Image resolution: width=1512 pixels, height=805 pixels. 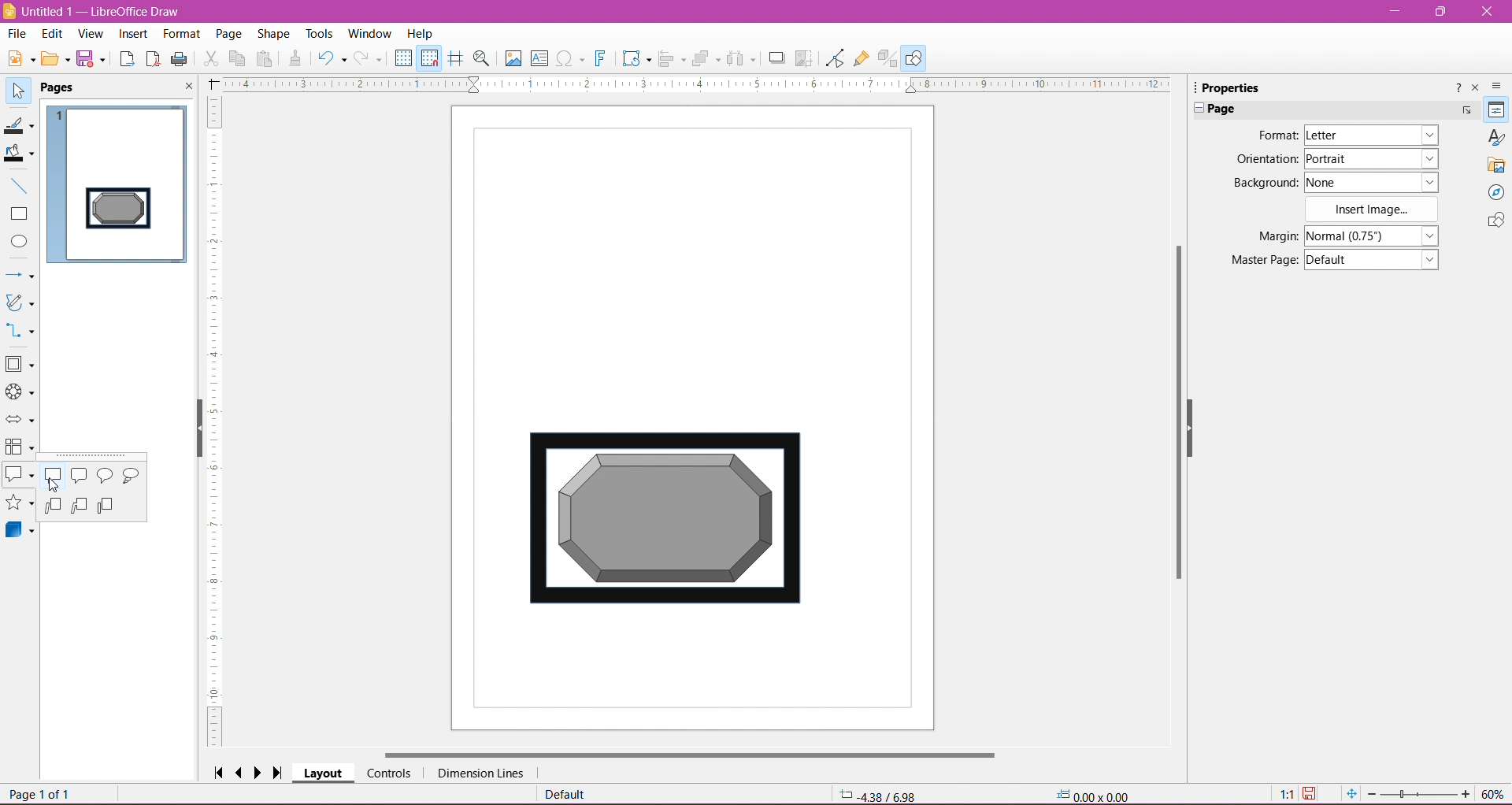 I want to click on Crop Image, so click(x=804, y=57).